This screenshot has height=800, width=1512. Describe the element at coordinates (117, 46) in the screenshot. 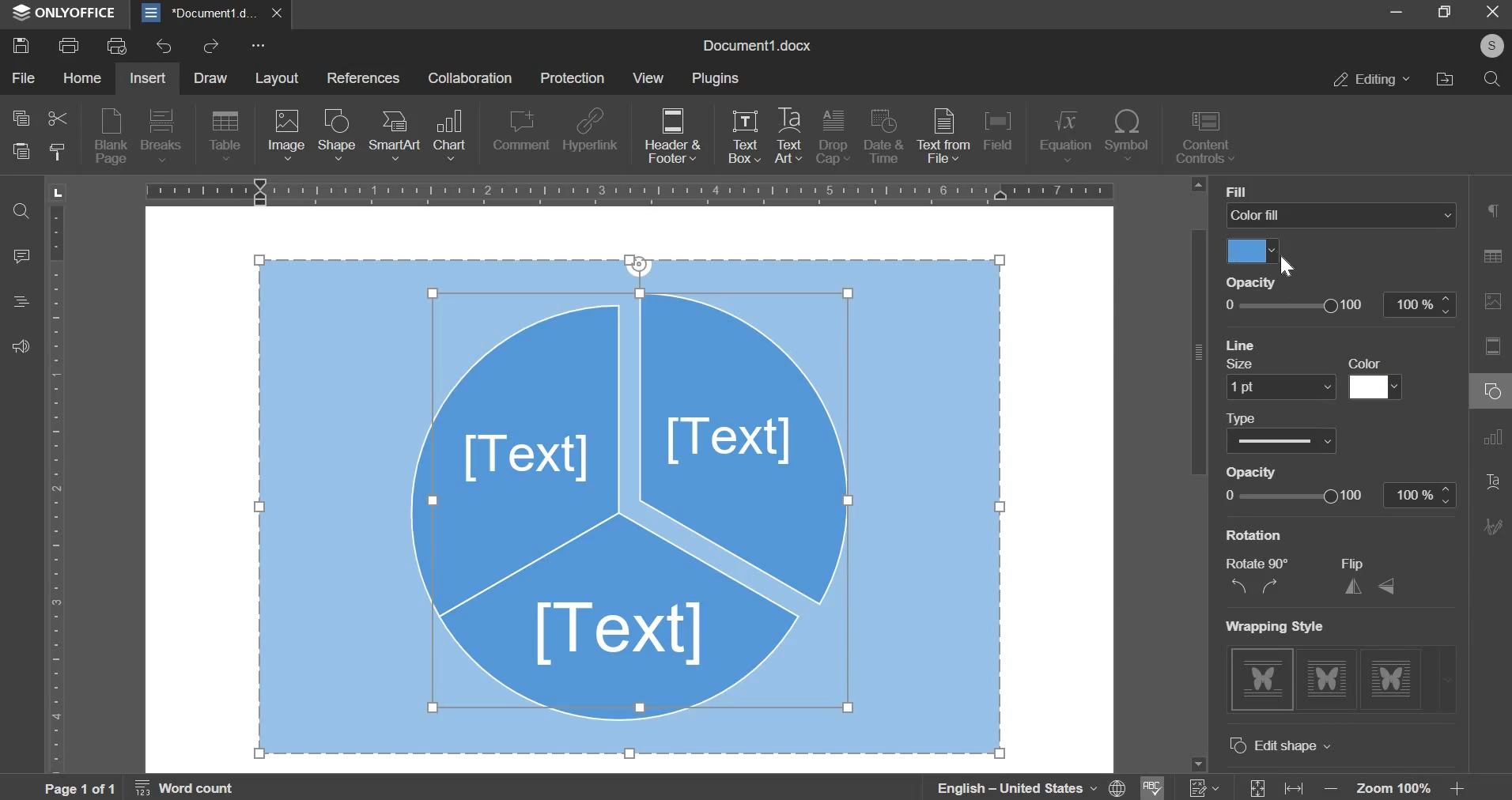

I see `print previw` at that location.